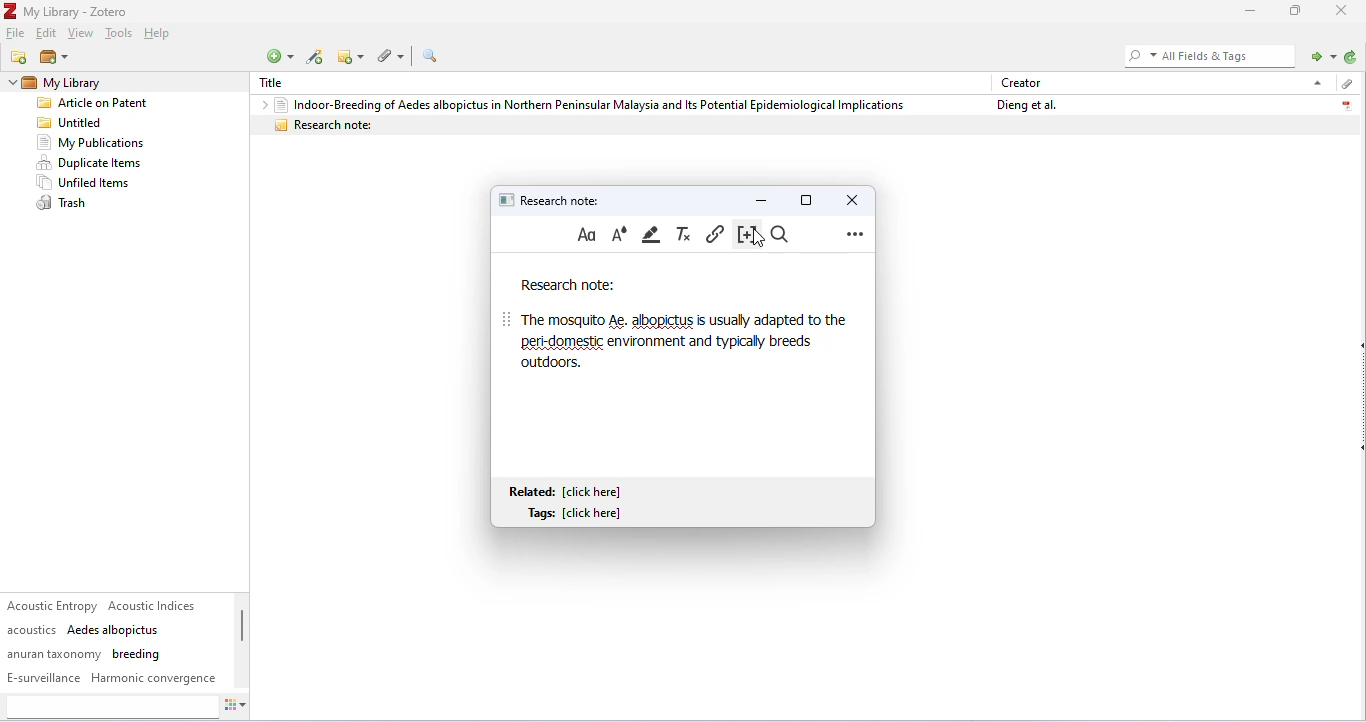  Describe the element at coordinates (1344, 10) in the screenshot. I see `close` at that location.